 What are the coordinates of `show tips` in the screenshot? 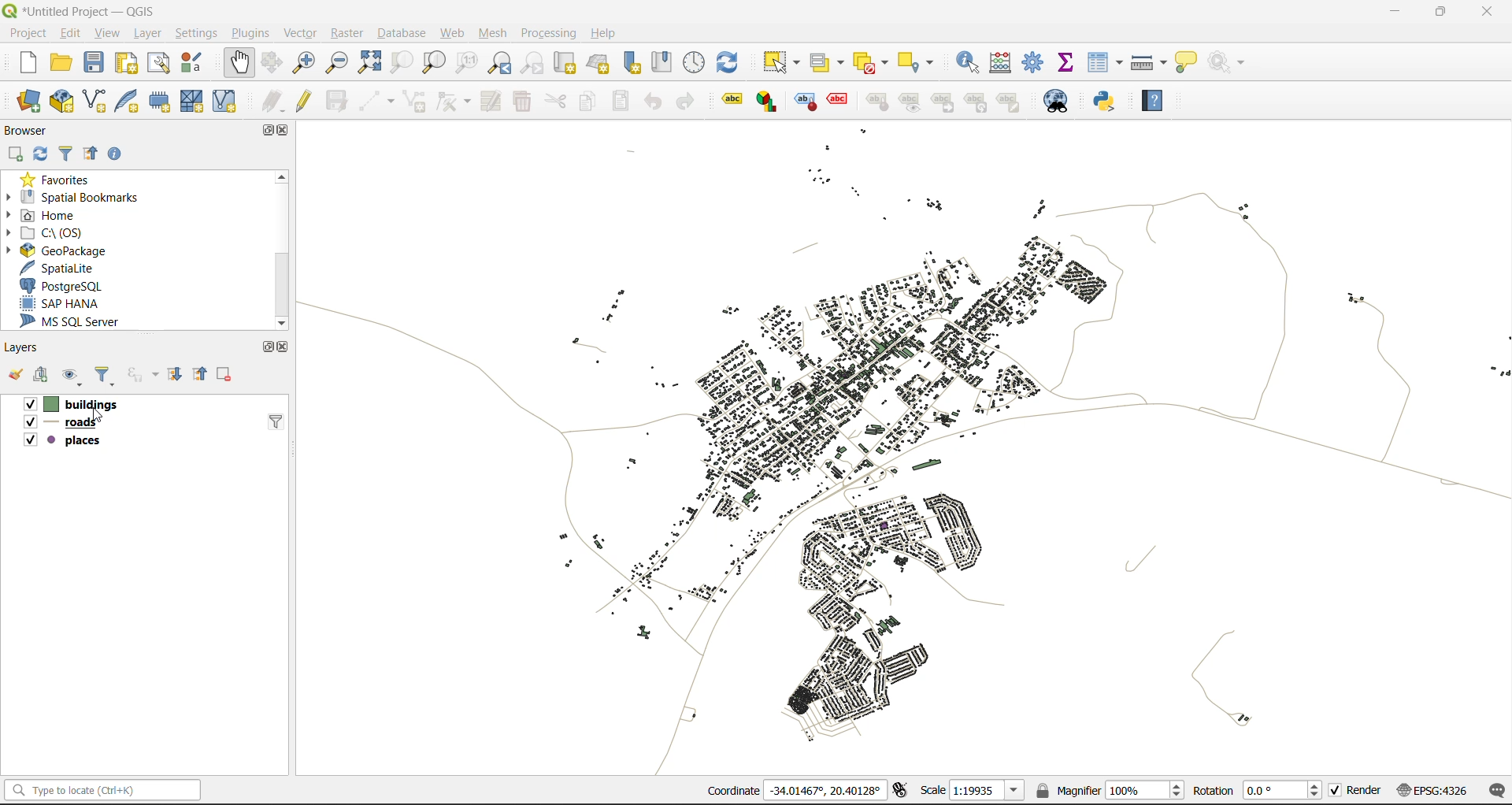 It's located at (1185, 64).